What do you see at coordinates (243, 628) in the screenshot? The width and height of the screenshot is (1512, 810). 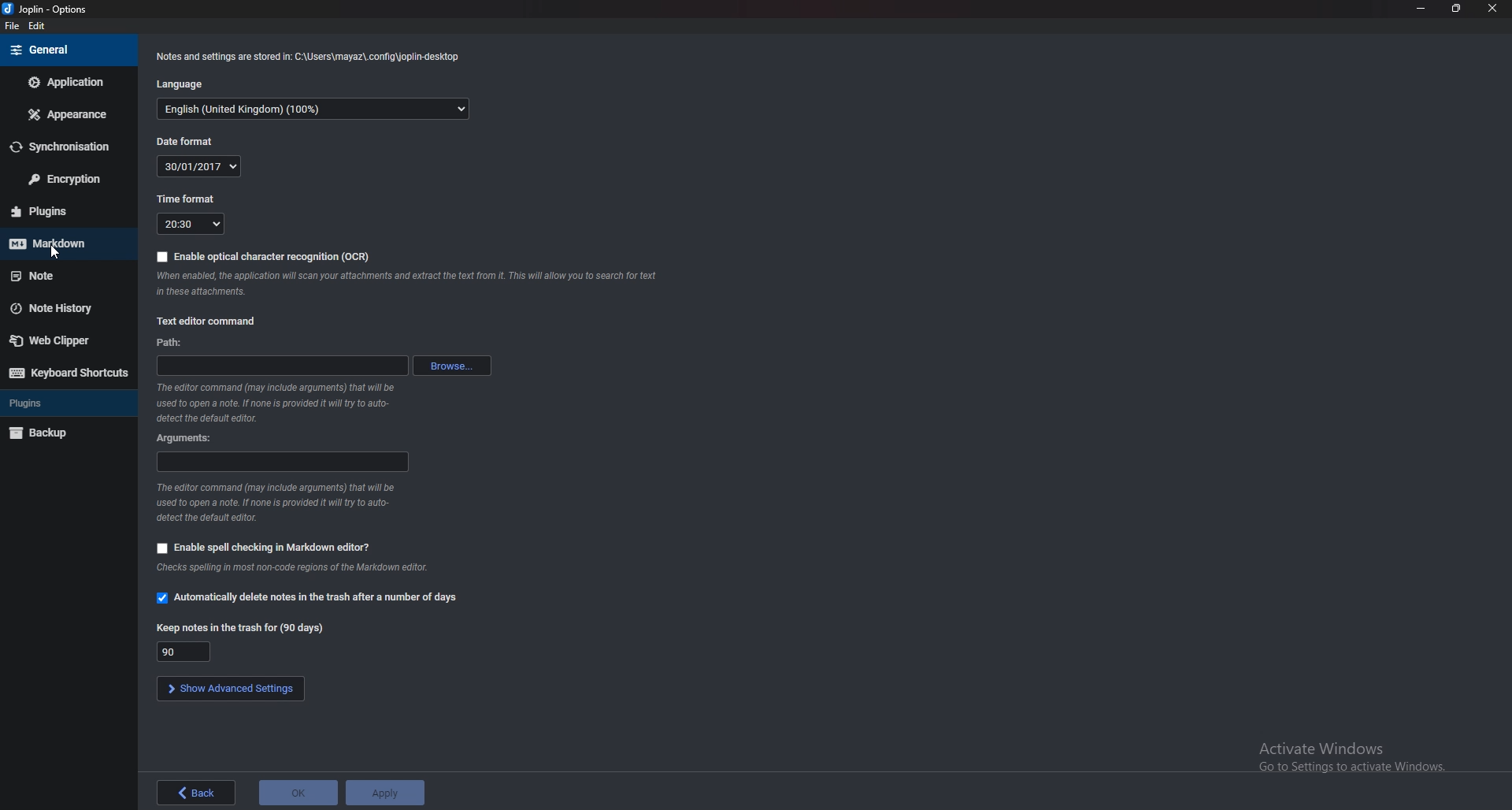 I see `Keep notes in trash for` at bounding box center [243, 628].